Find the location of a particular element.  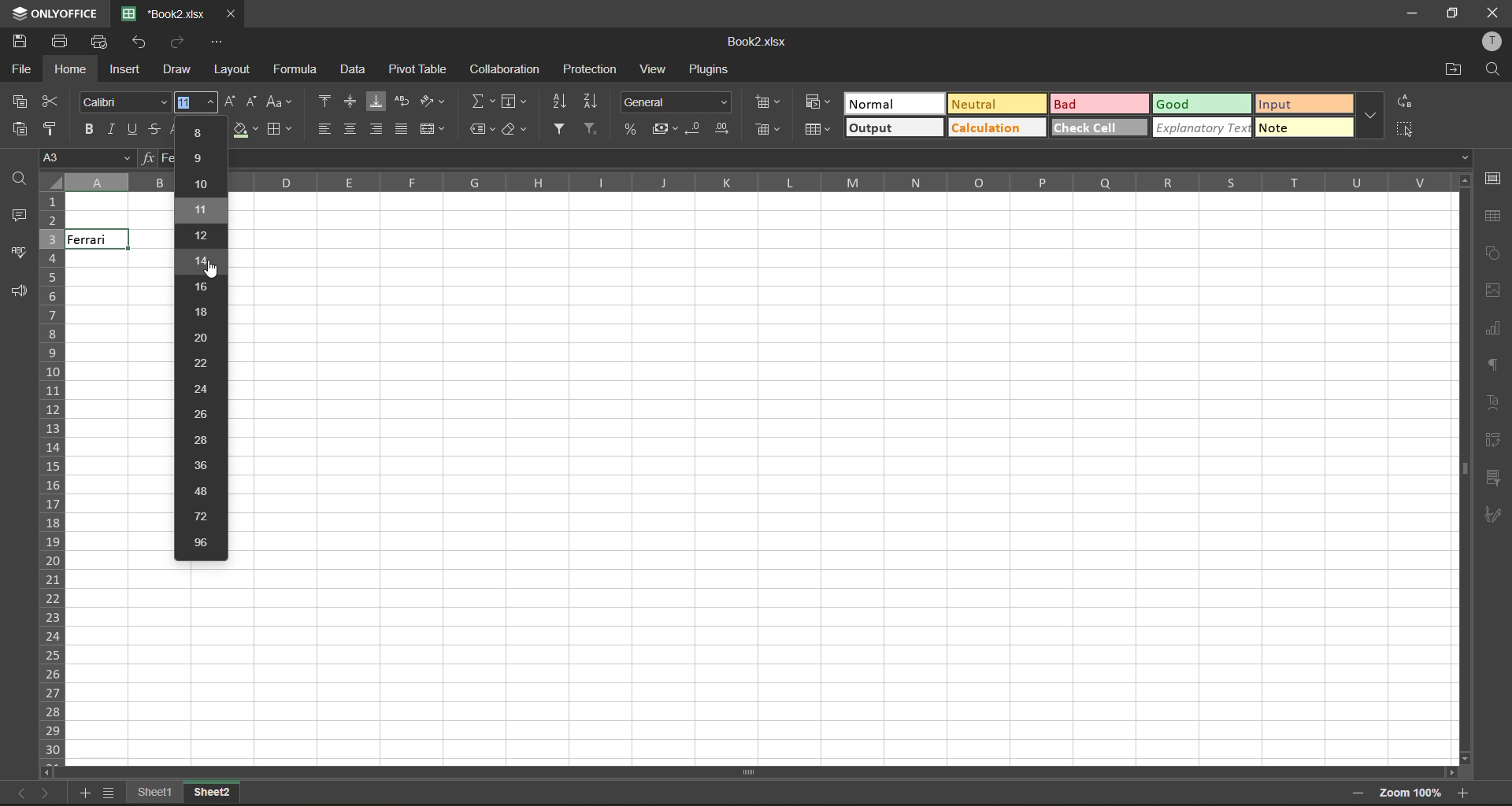

insert is located at coordinates (123, 68).